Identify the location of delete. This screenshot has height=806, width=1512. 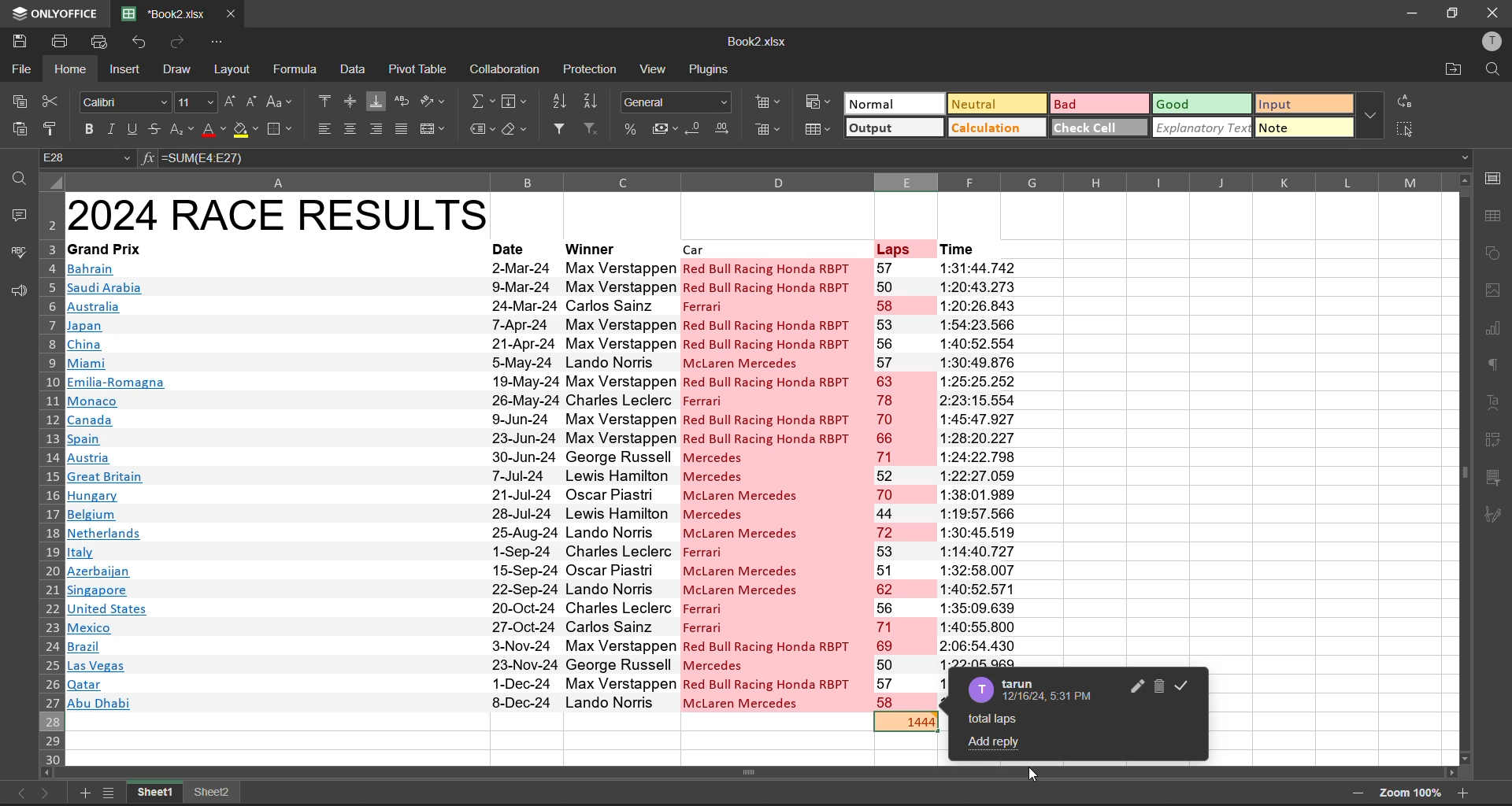
(1159, 687).